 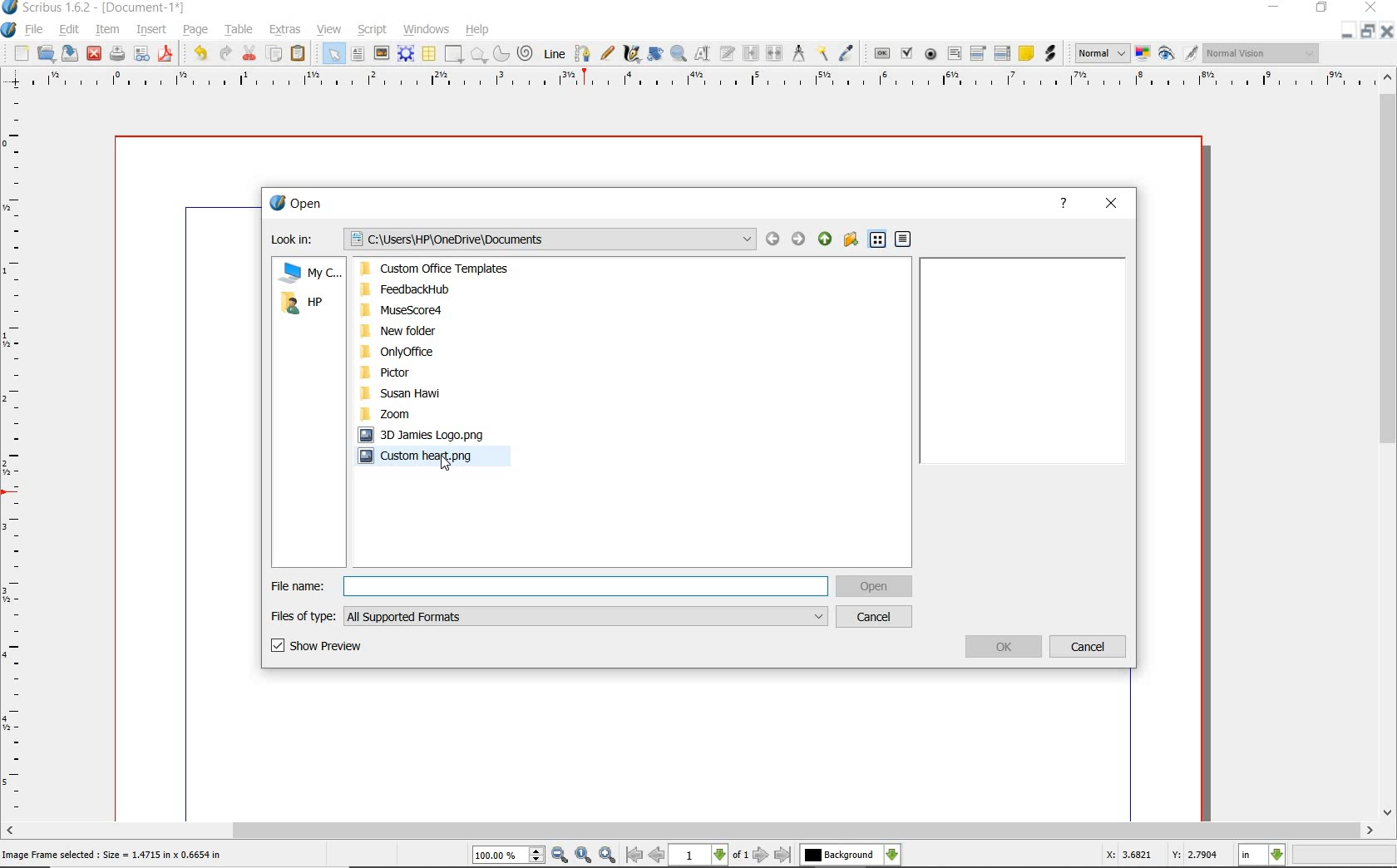 I want to click on zoom to, so click(x=583, y=856).